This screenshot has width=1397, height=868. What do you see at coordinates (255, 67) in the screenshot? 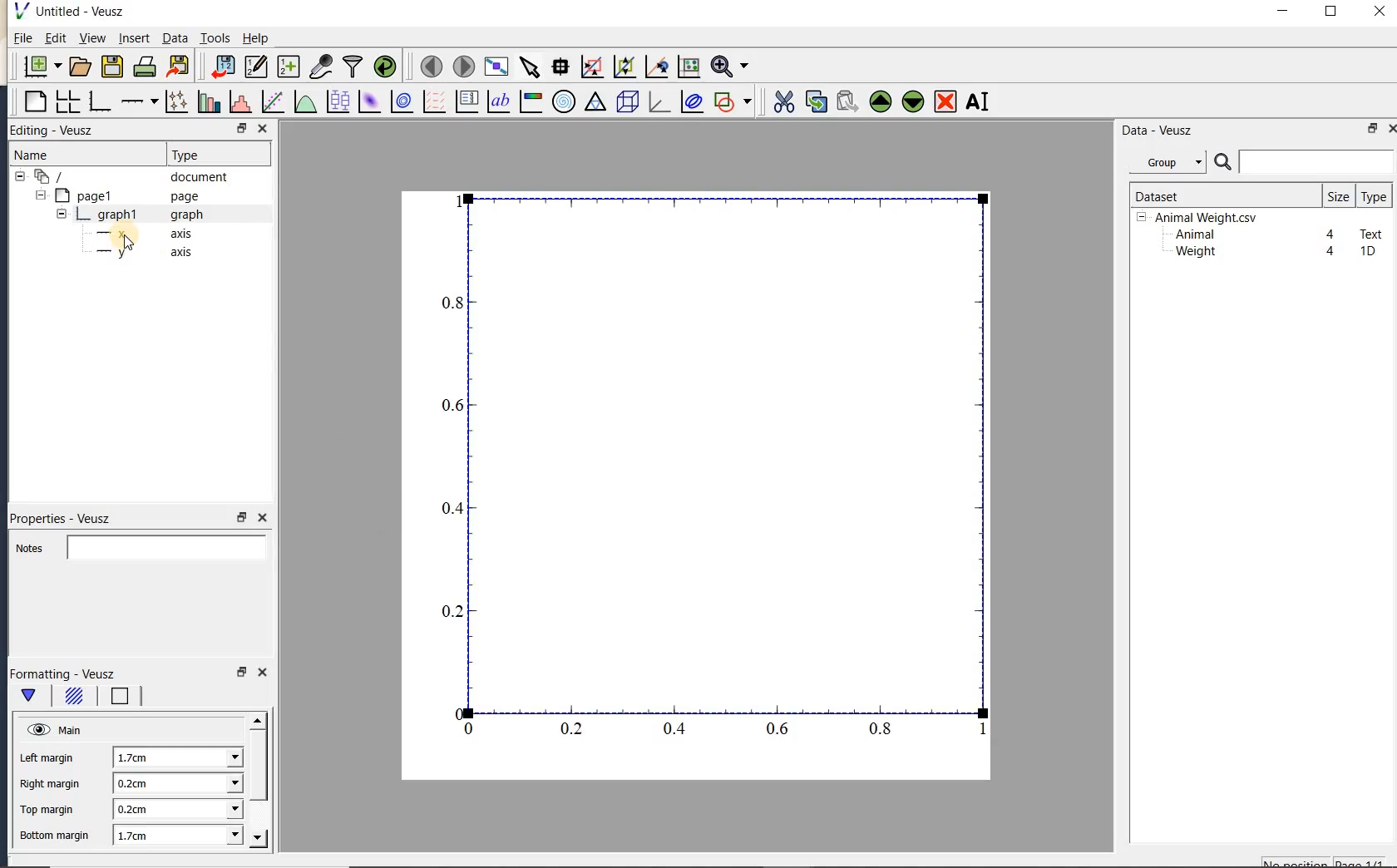
I see `edit and enter new datasets` at bounding box center [255, 67].